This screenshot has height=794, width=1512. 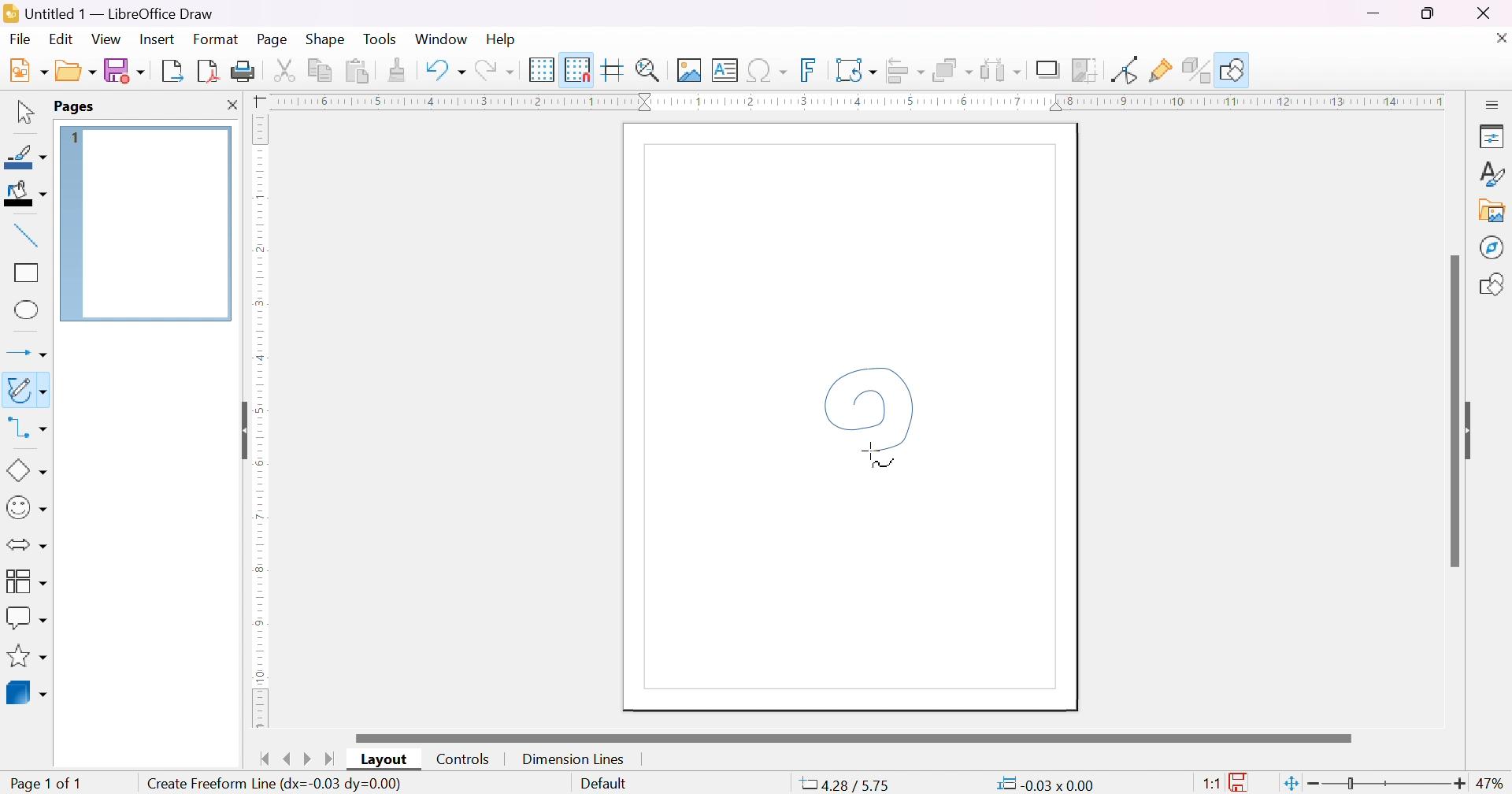 What do you see at coordinates (1044, 783) in the screenshot?
I see `0.00*0.00` at bounding box center [1044, 783].